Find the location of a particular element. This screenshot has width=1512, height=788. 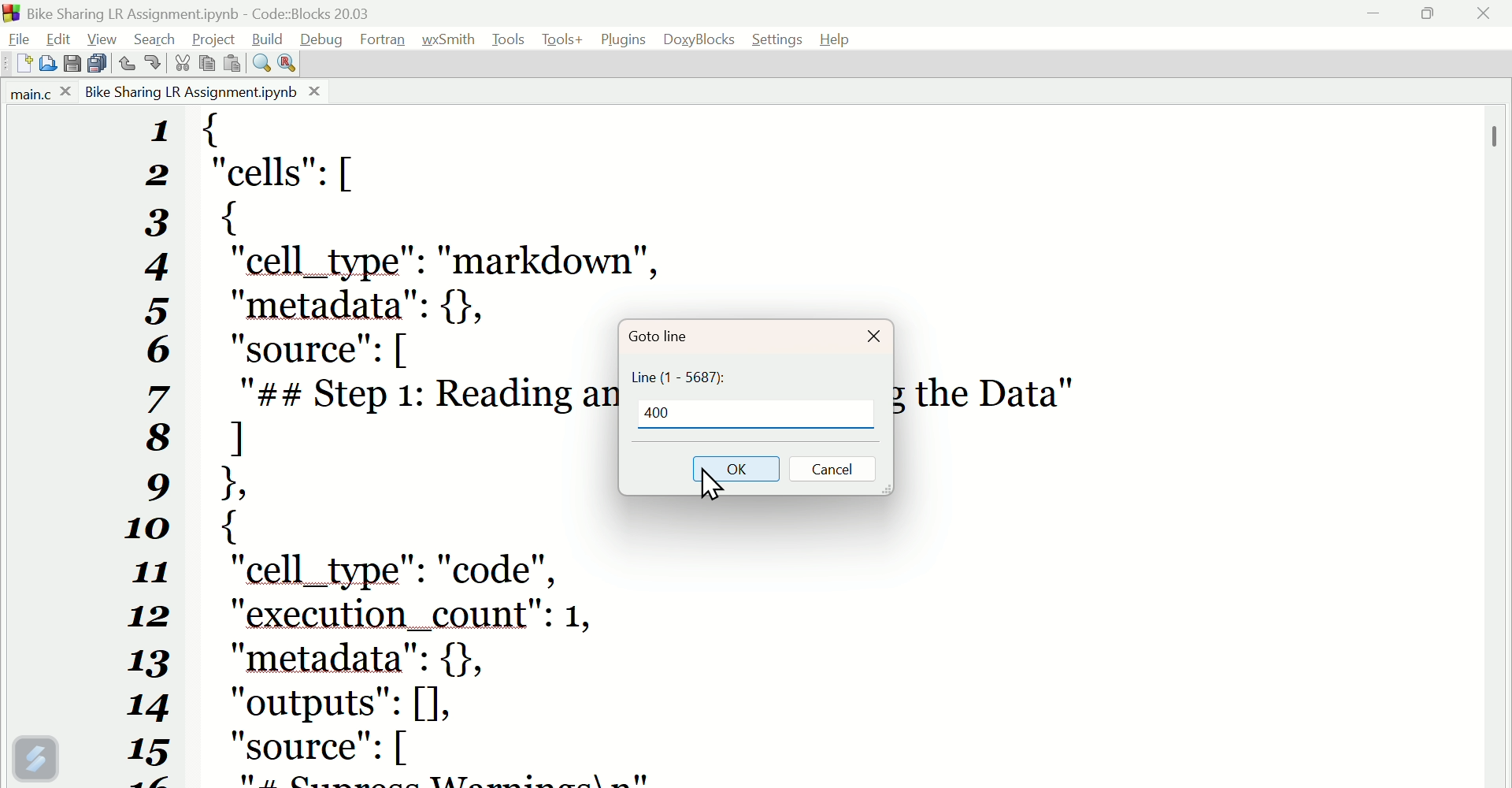

Close is located at coordinates (1484, 20).